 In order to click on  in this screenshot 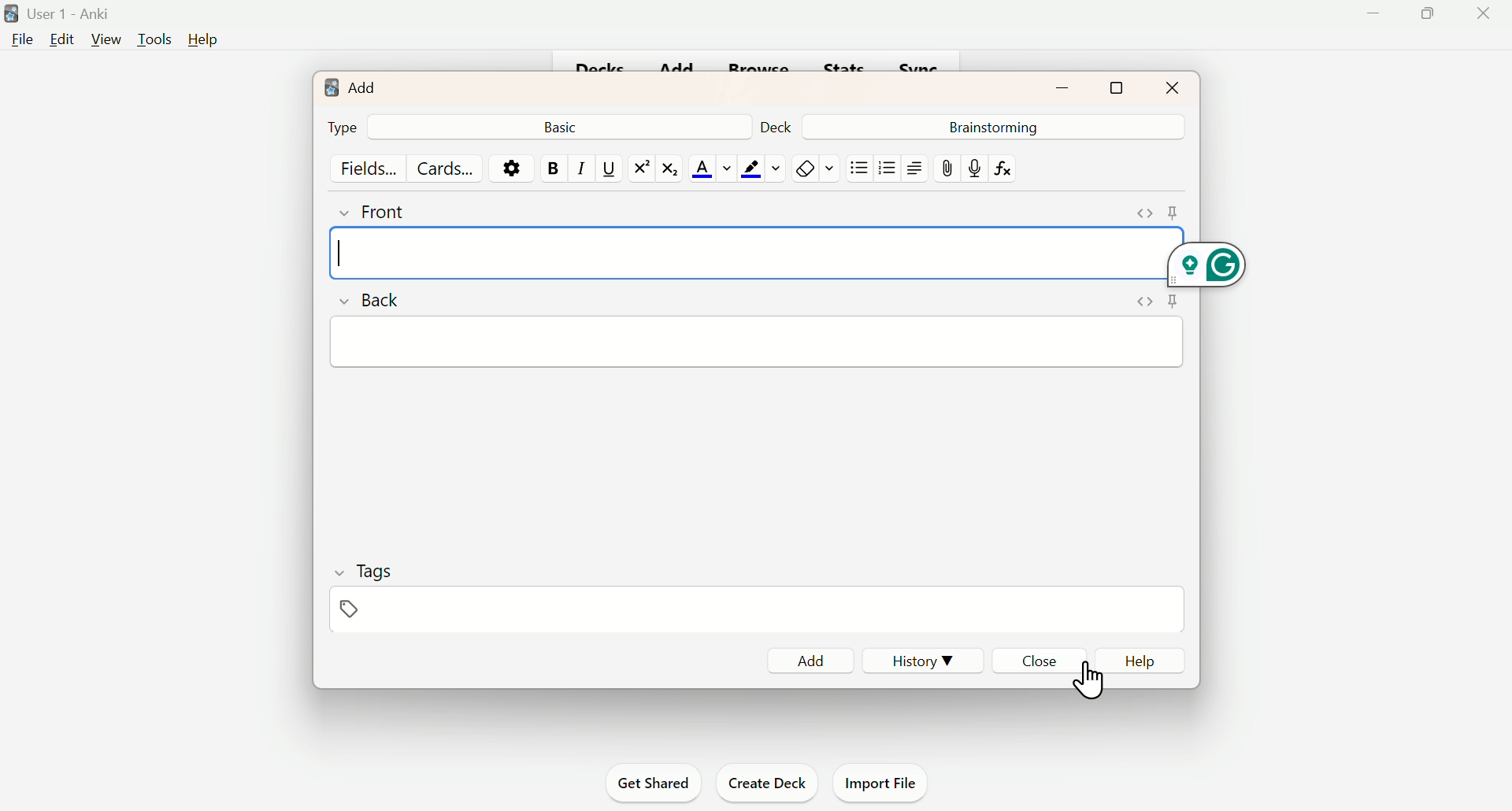, I will do `click(832, 168)`.